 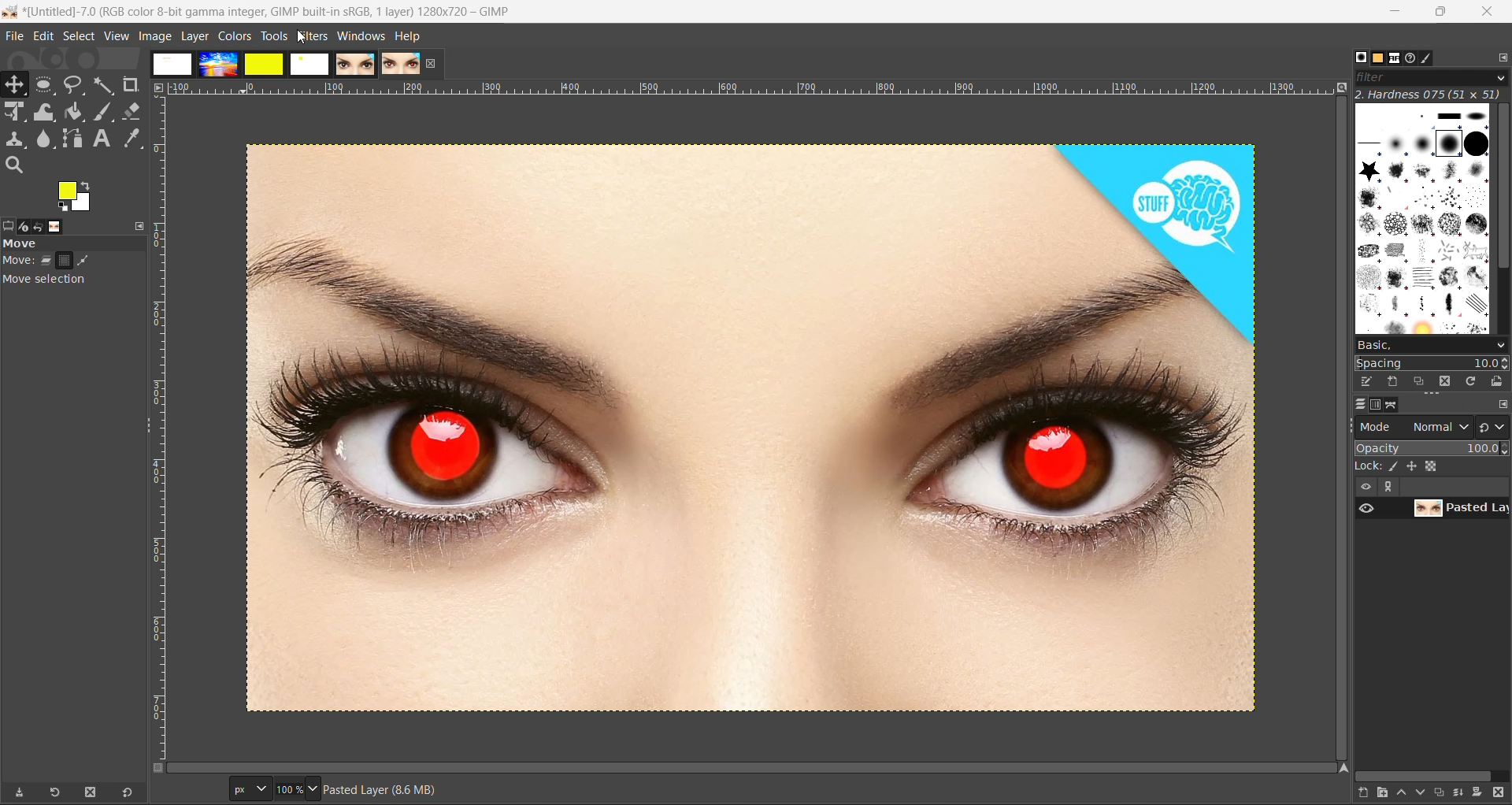 What do you see at coordinates (1392, 13) in the screenshot?
I see `minimize` at bounding box center [1392, 13].